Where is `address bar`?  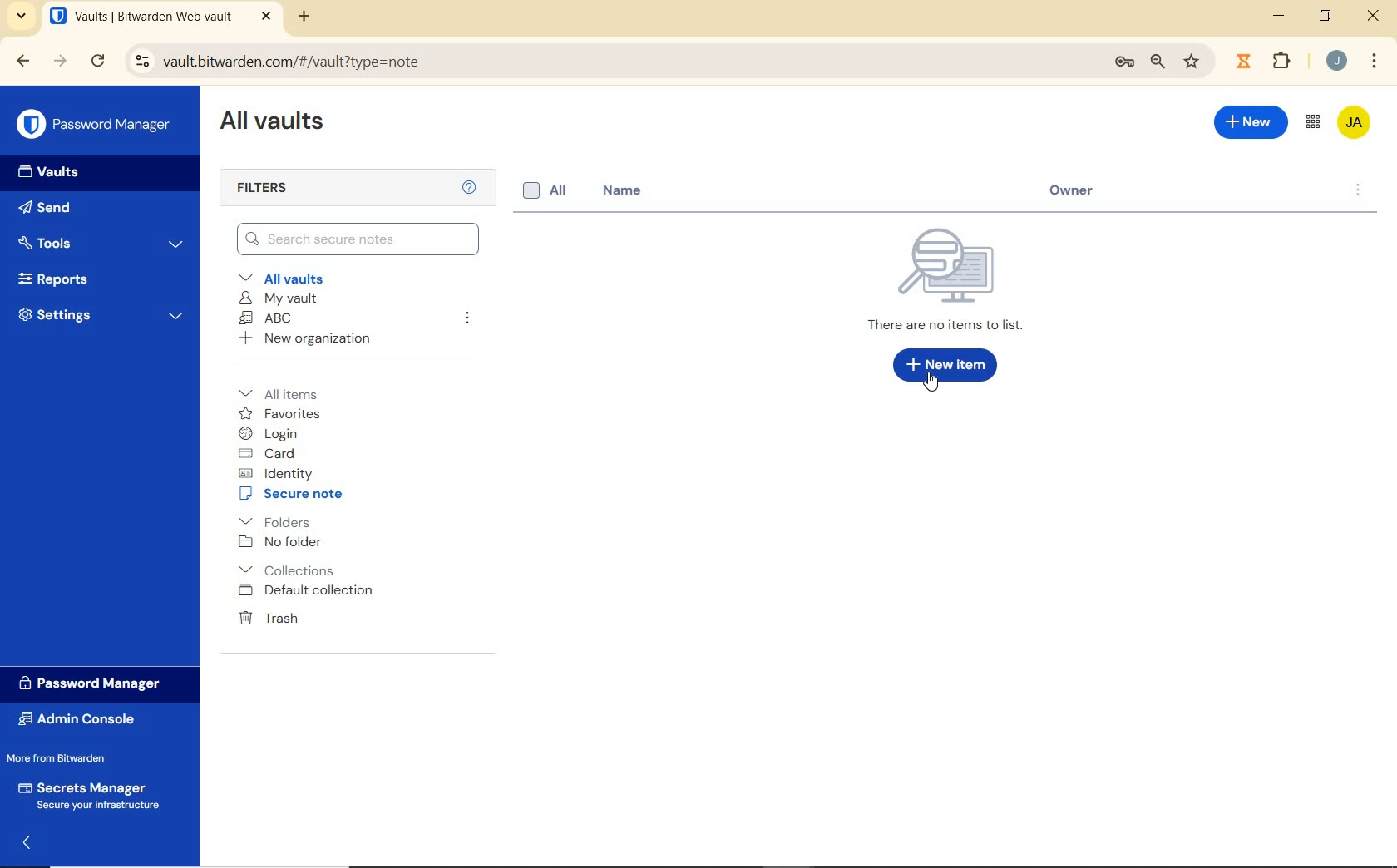 address bar is located at coordinates (607, 62).